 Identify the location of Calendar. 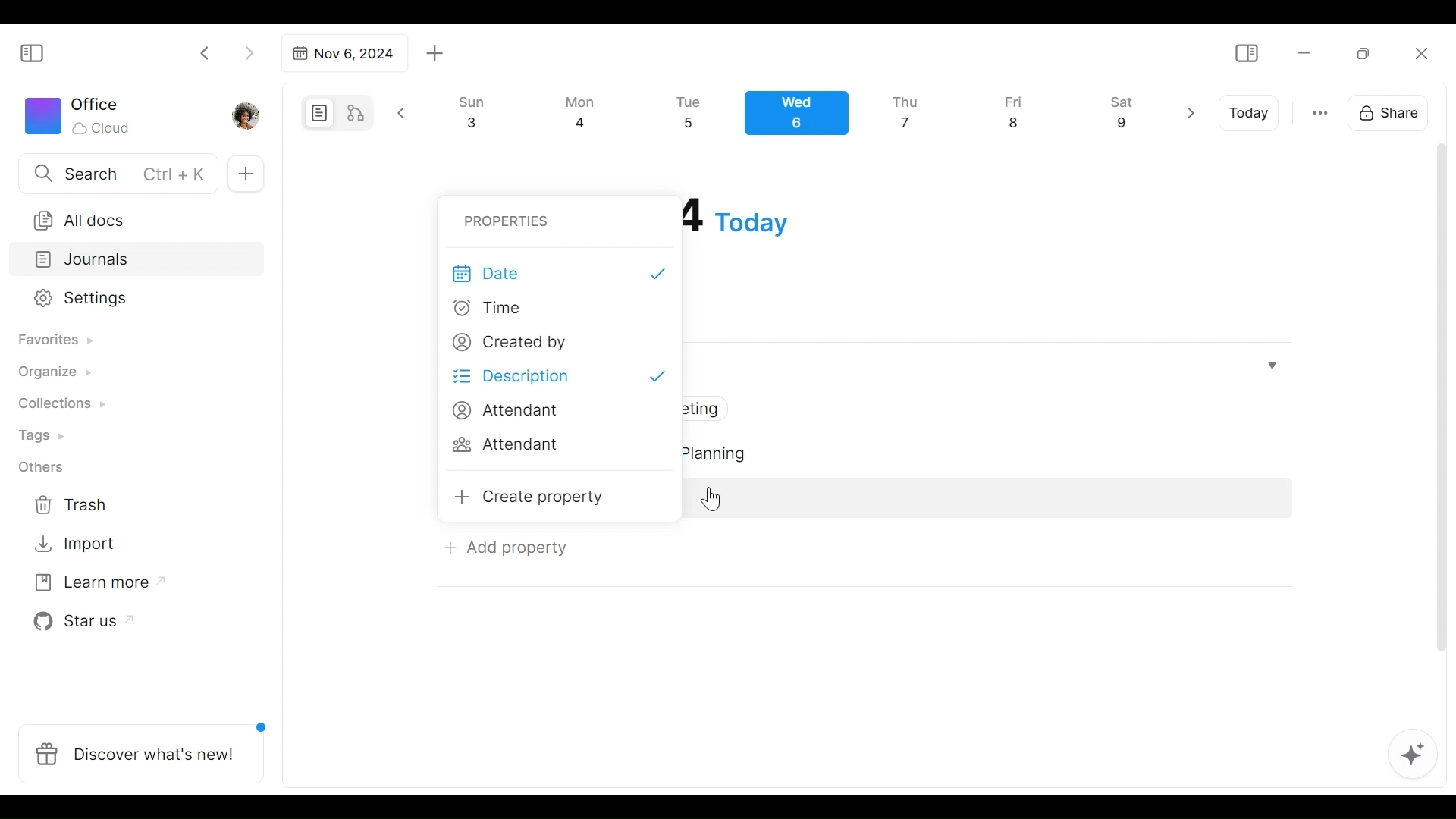
(803, 117).